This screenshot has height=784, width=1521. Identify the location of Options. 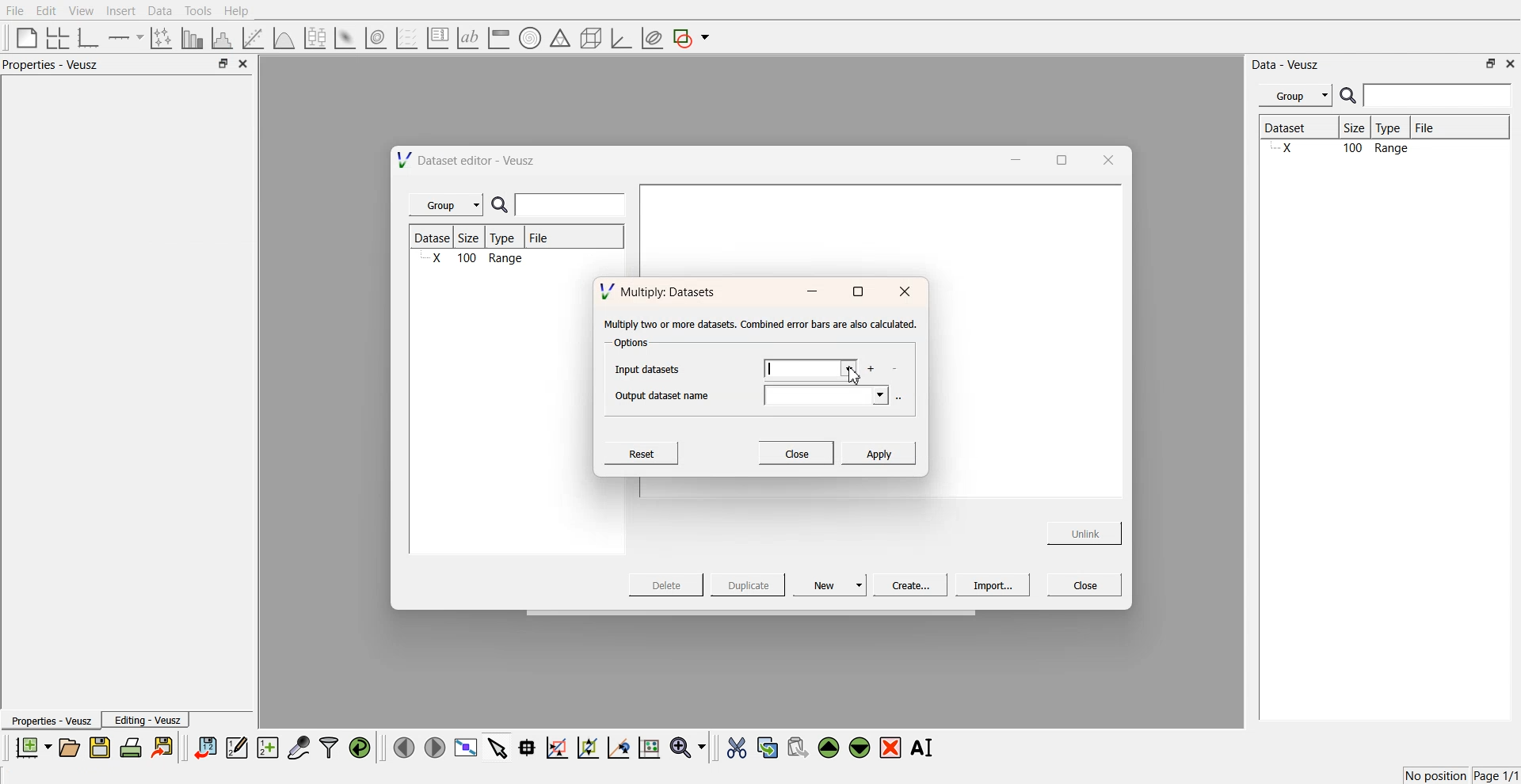
(629, 344).